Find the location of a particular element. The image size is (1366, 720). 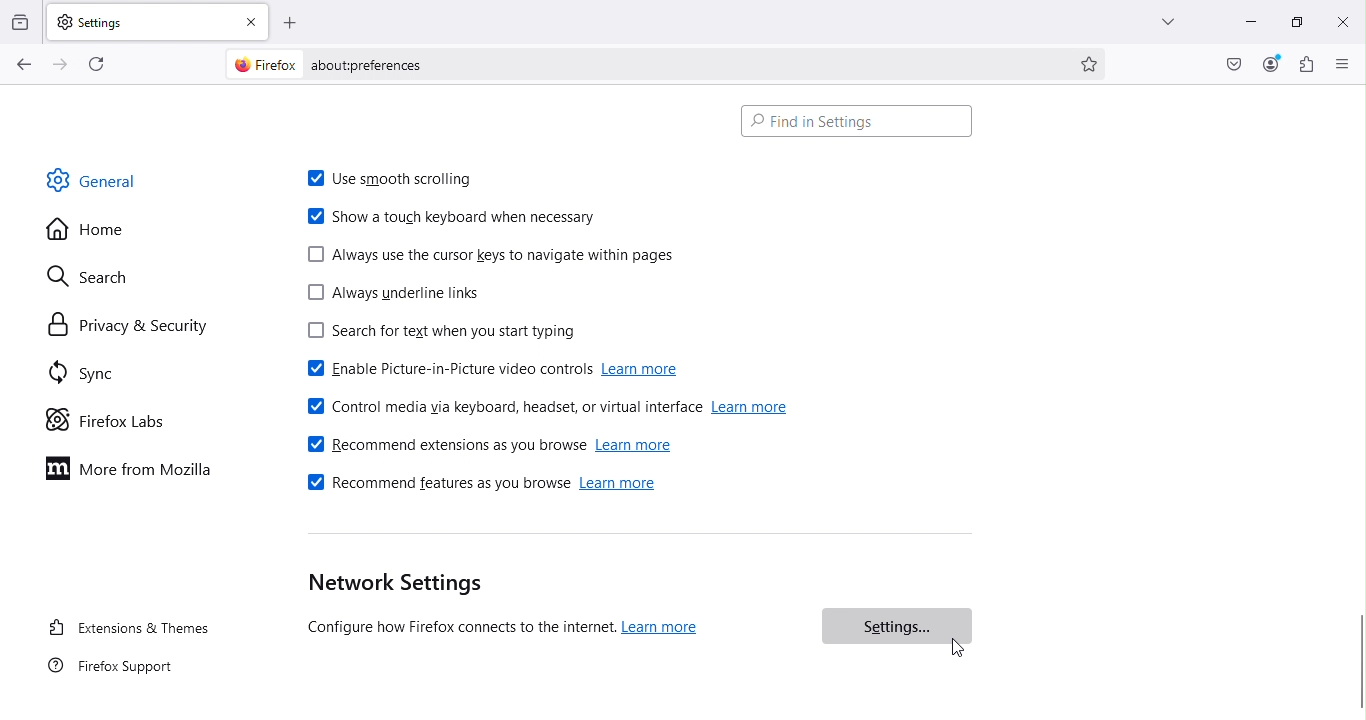

Extensions is located at coordinates (1304, 65).